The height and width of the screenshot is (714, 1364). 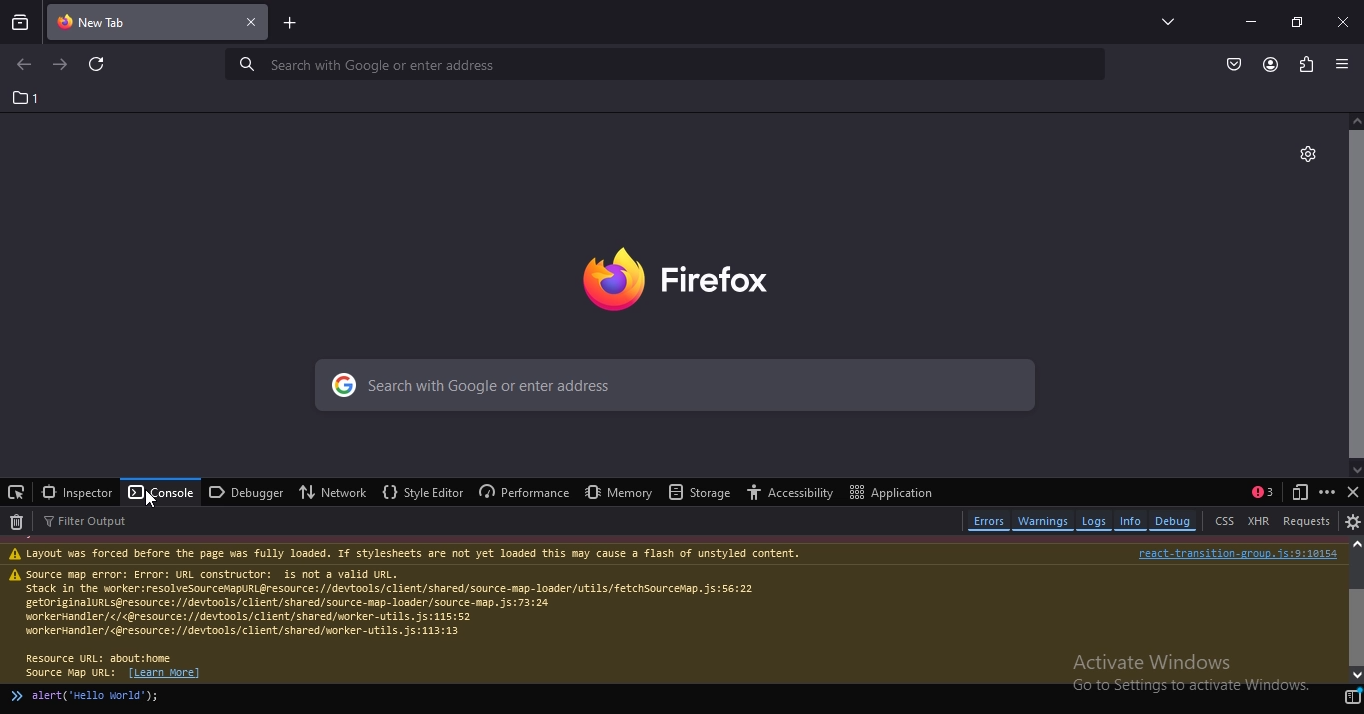 What do you see at coordinates (1309, 520) in the screenshot?
I see `requests` at bounding box center [1309, 520].